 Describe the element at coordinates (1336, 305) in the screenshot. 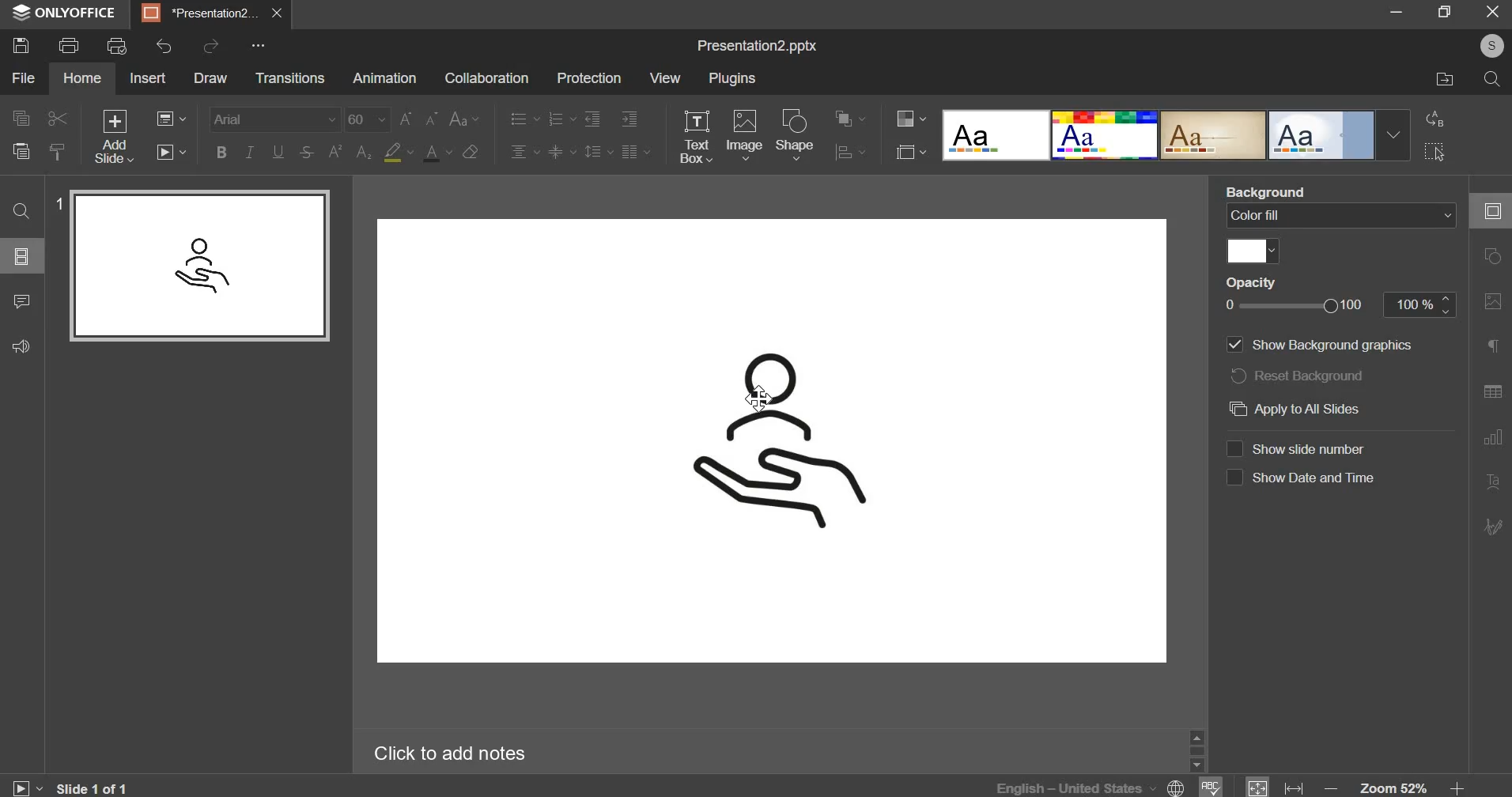

I see `opacity` at that location.